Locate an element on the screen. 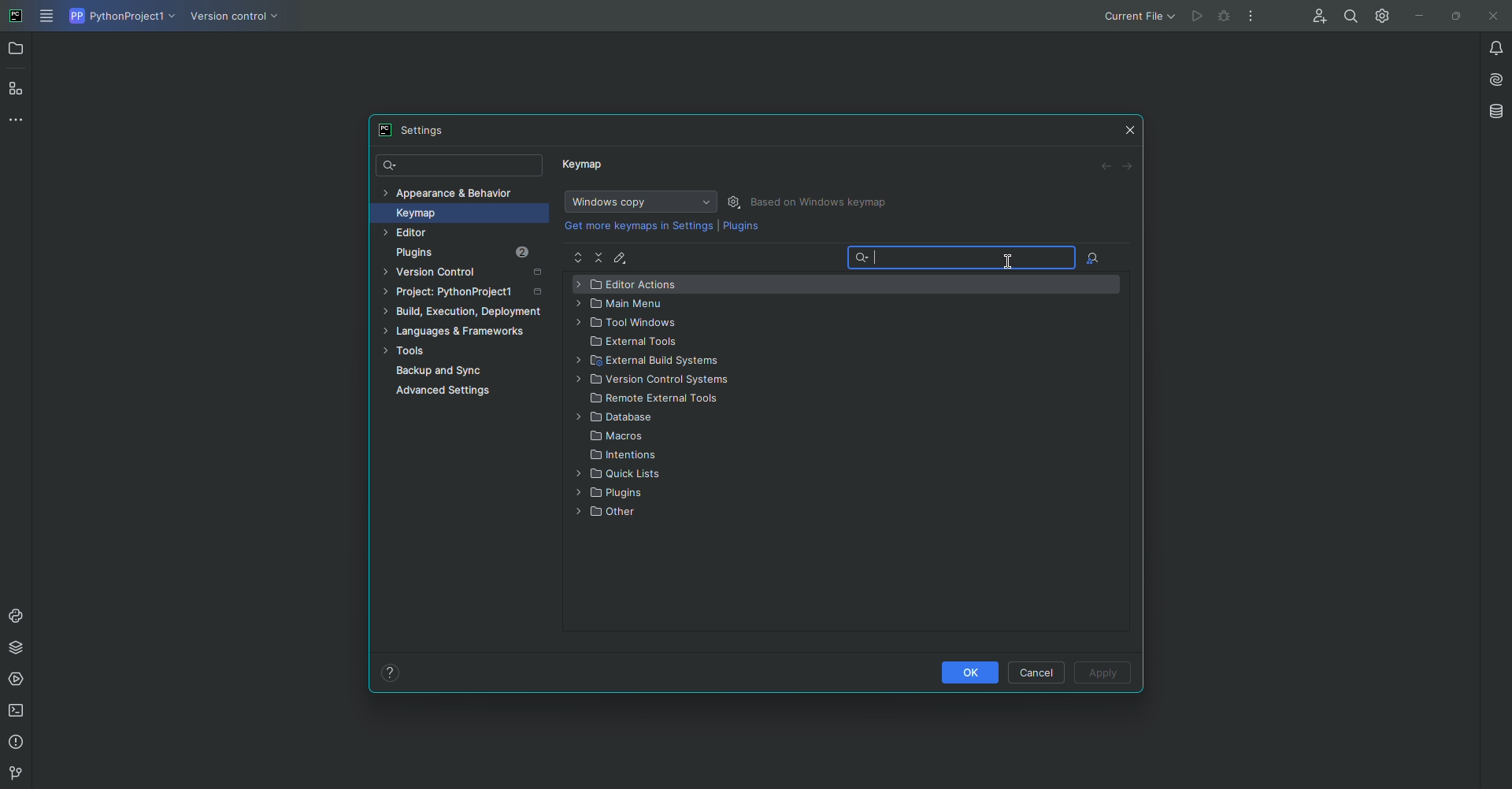  Current file is located at coordinates (1138, 16).